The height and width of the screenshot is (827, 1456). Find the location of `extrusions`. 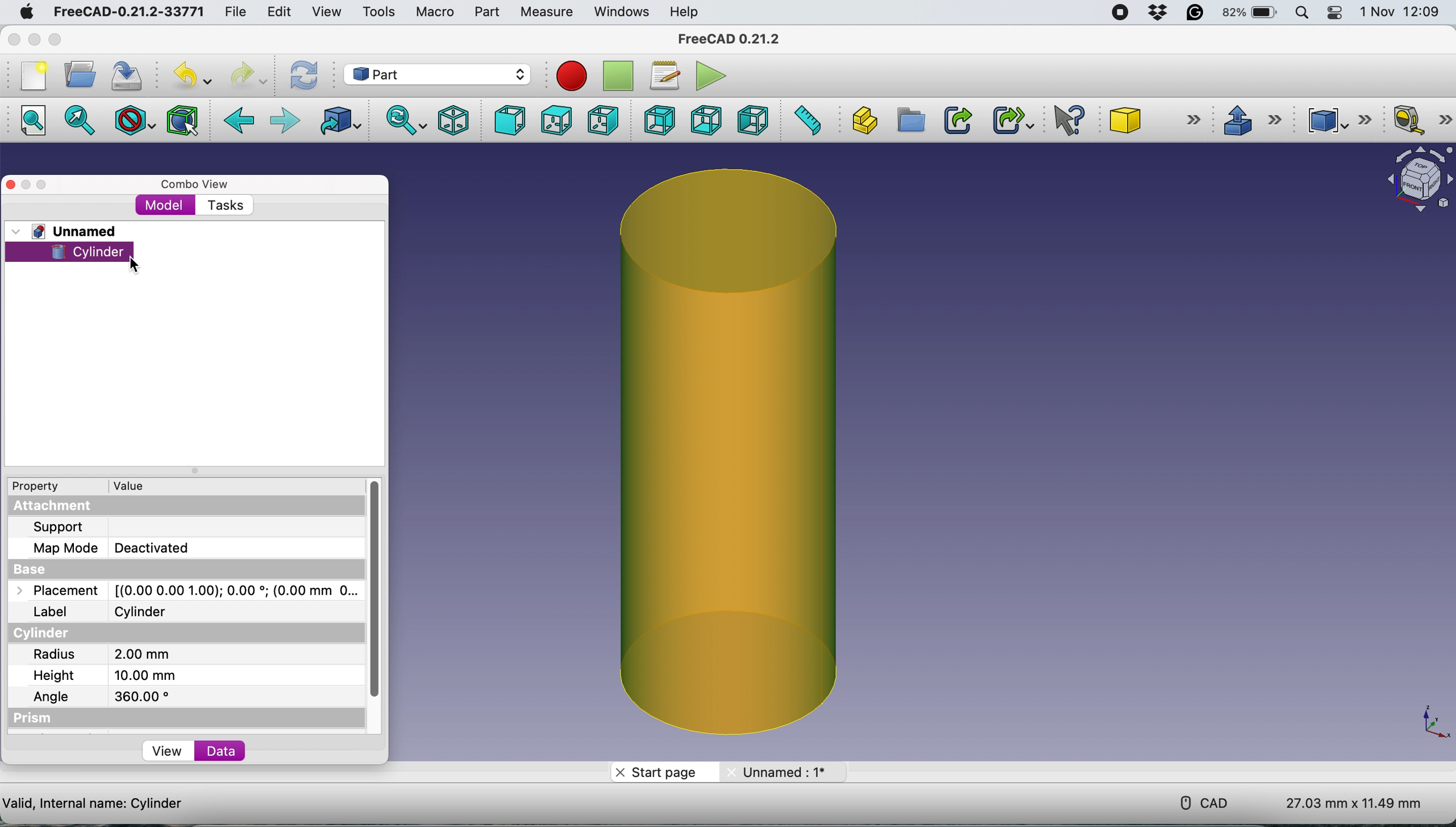

extrusions is located at coordinates (1256, 122).